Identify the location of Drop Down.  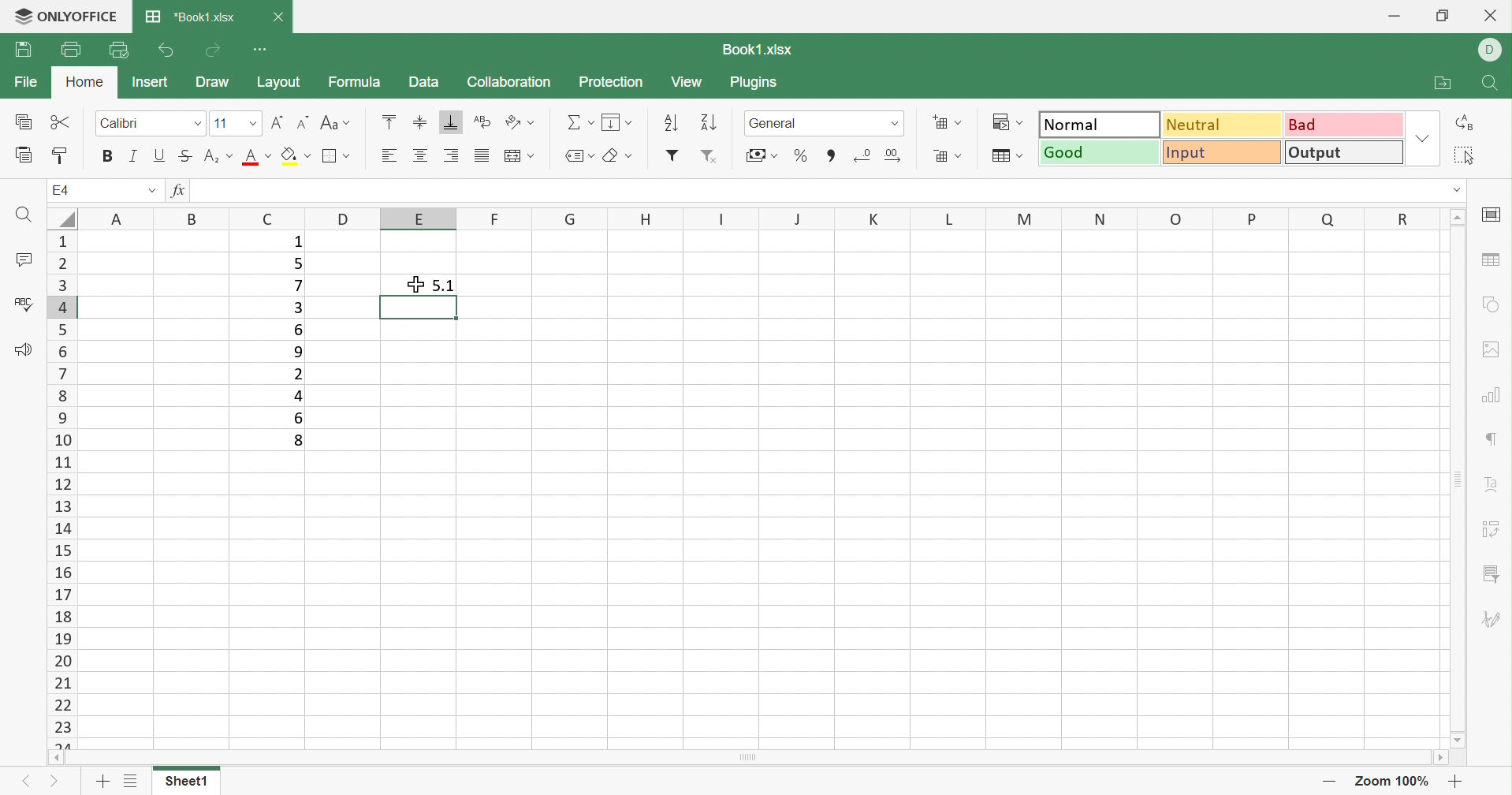
(1423, 141).